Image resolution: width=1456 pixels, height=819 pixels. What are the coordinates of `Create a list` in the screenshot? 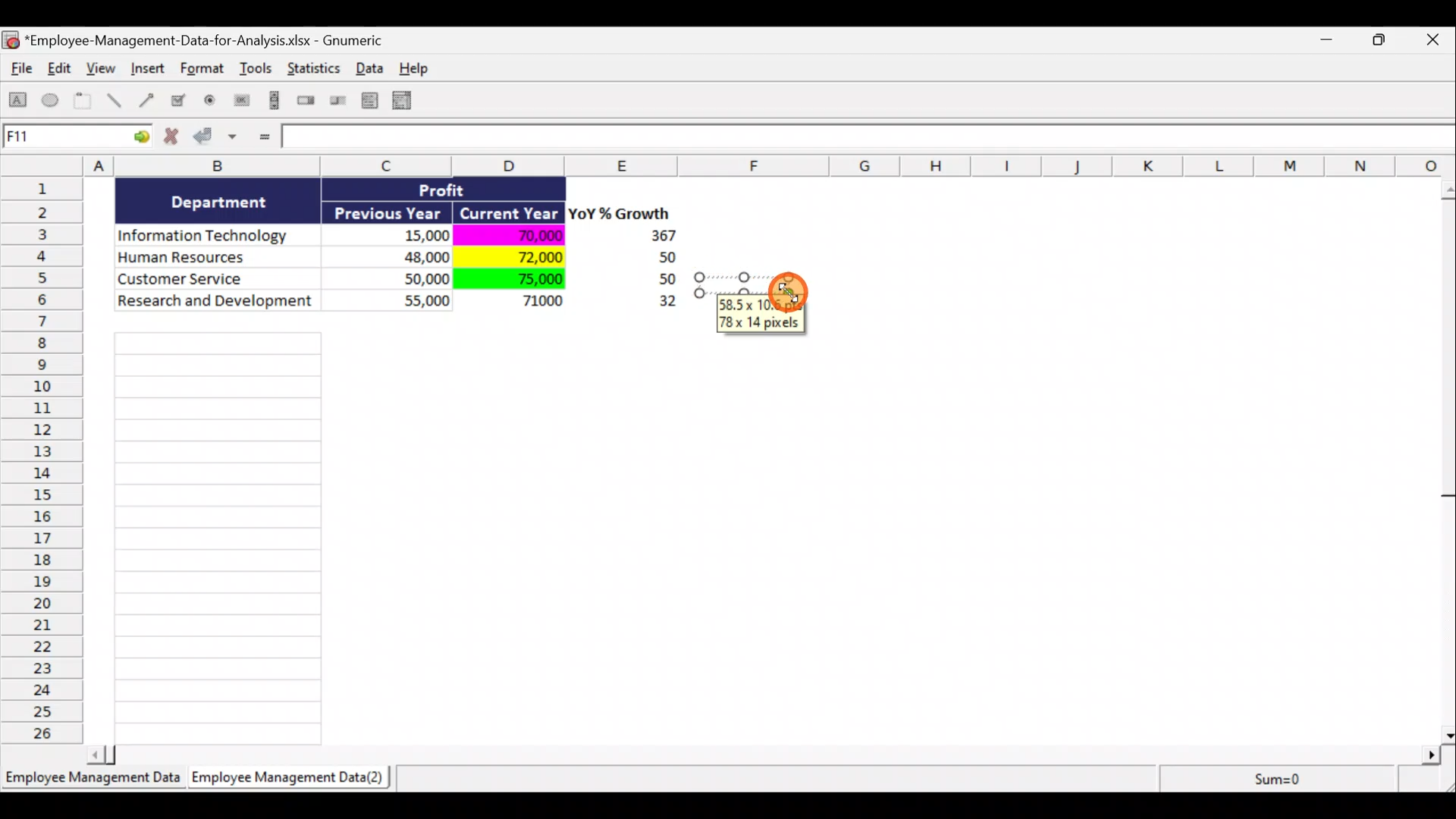 It's located at (366, 100).